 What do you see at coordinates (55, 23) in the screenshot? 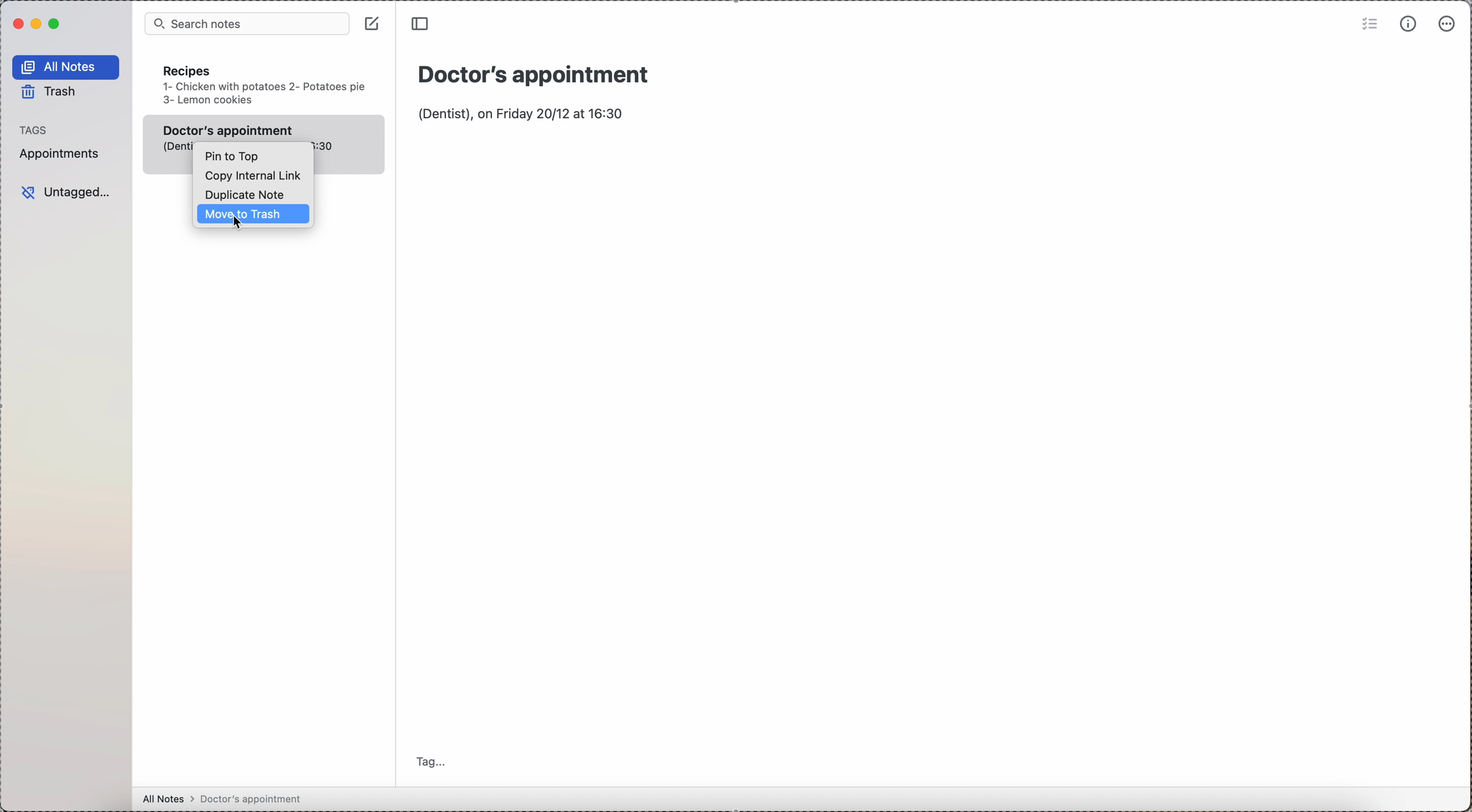
I see `maximize Simplenote` at bounding box center [55, 23].